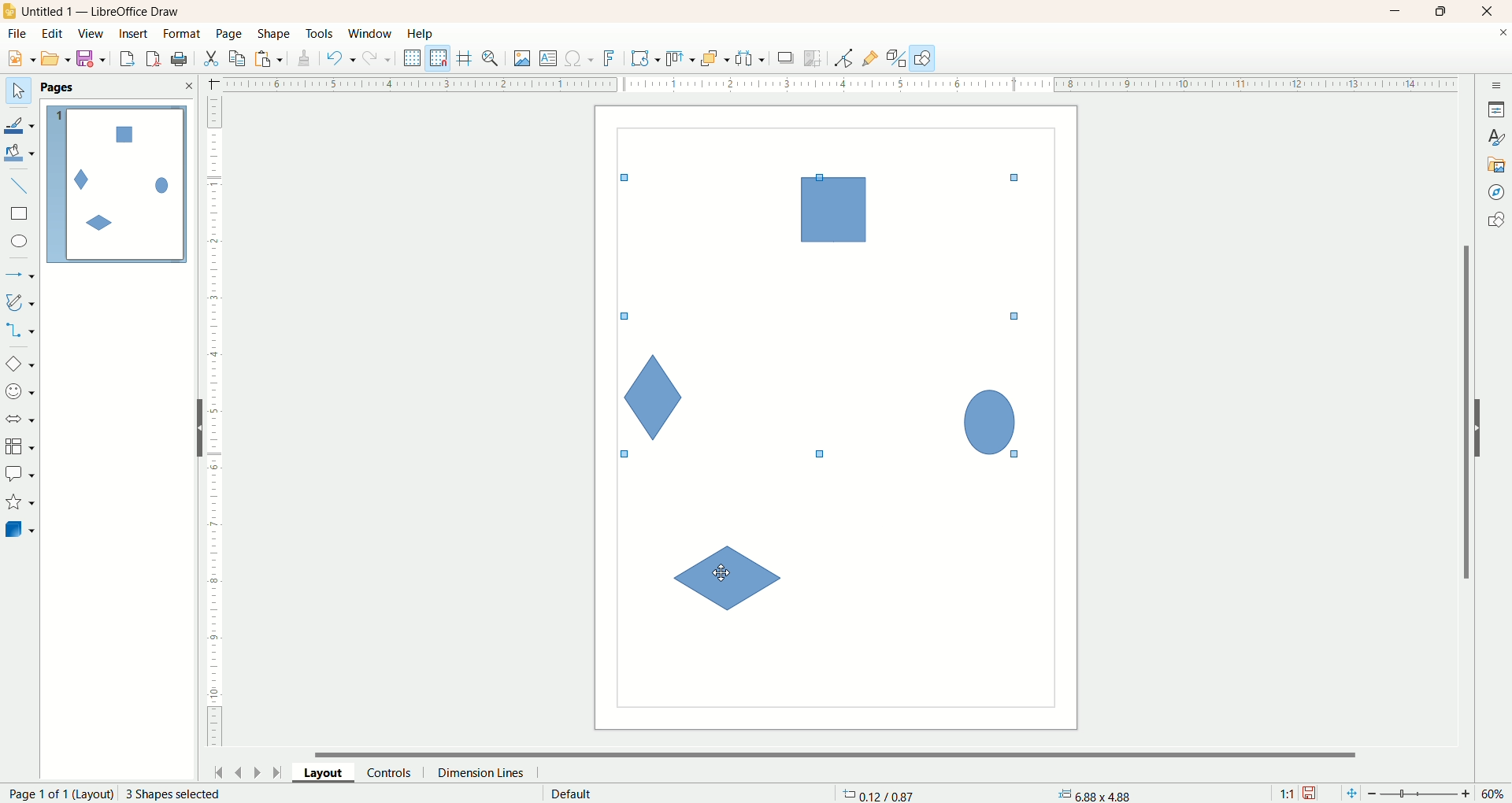 Image resolution: width=1512 pixels, height=803 pixels. What do you see at coordinates (580, 59) in the screenshot?
I see `special character` at bounding box center [580, 59].